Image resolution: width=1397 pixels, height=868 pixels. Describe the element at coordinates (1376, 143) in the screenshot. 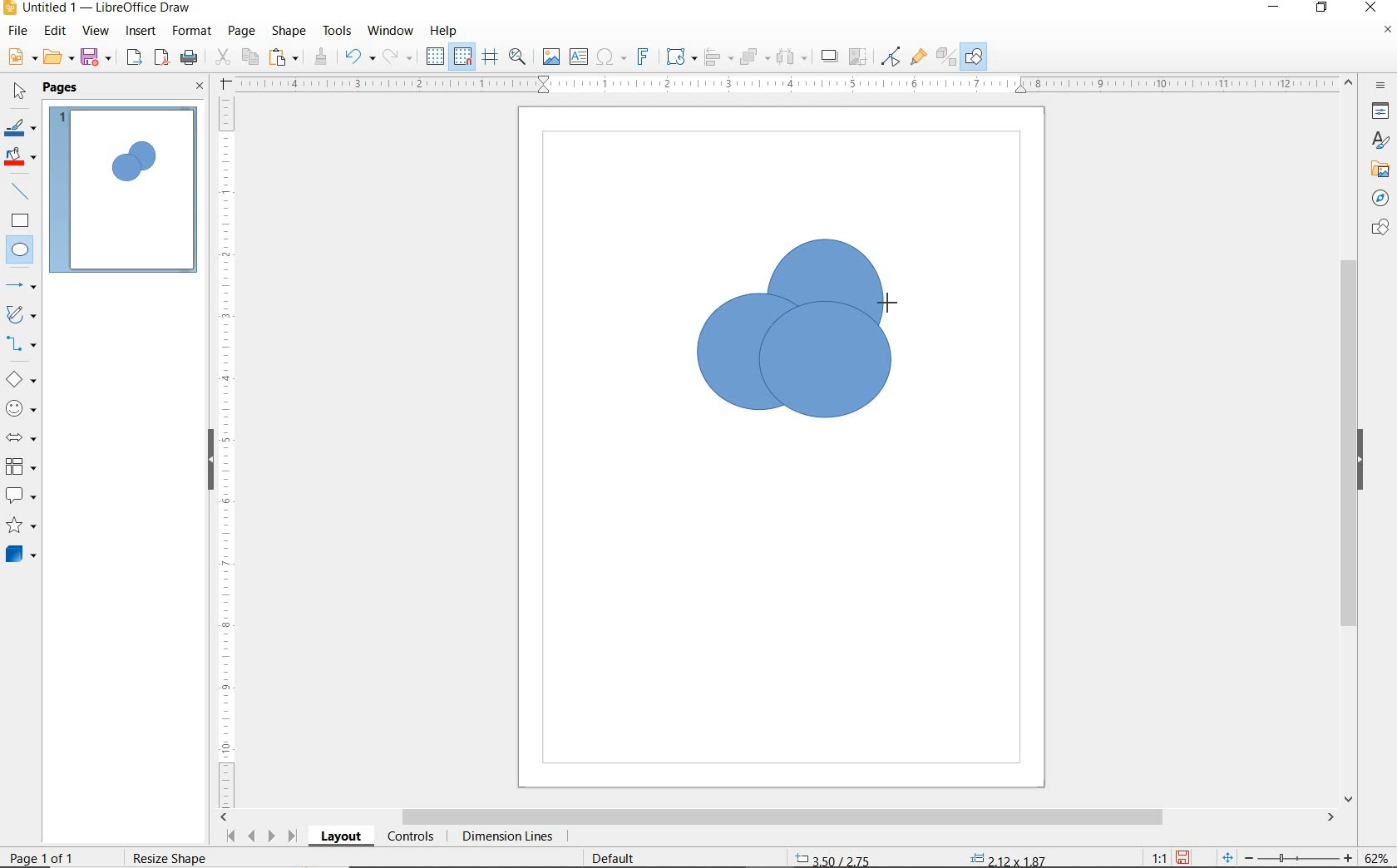

I see `STYLES` at that location.